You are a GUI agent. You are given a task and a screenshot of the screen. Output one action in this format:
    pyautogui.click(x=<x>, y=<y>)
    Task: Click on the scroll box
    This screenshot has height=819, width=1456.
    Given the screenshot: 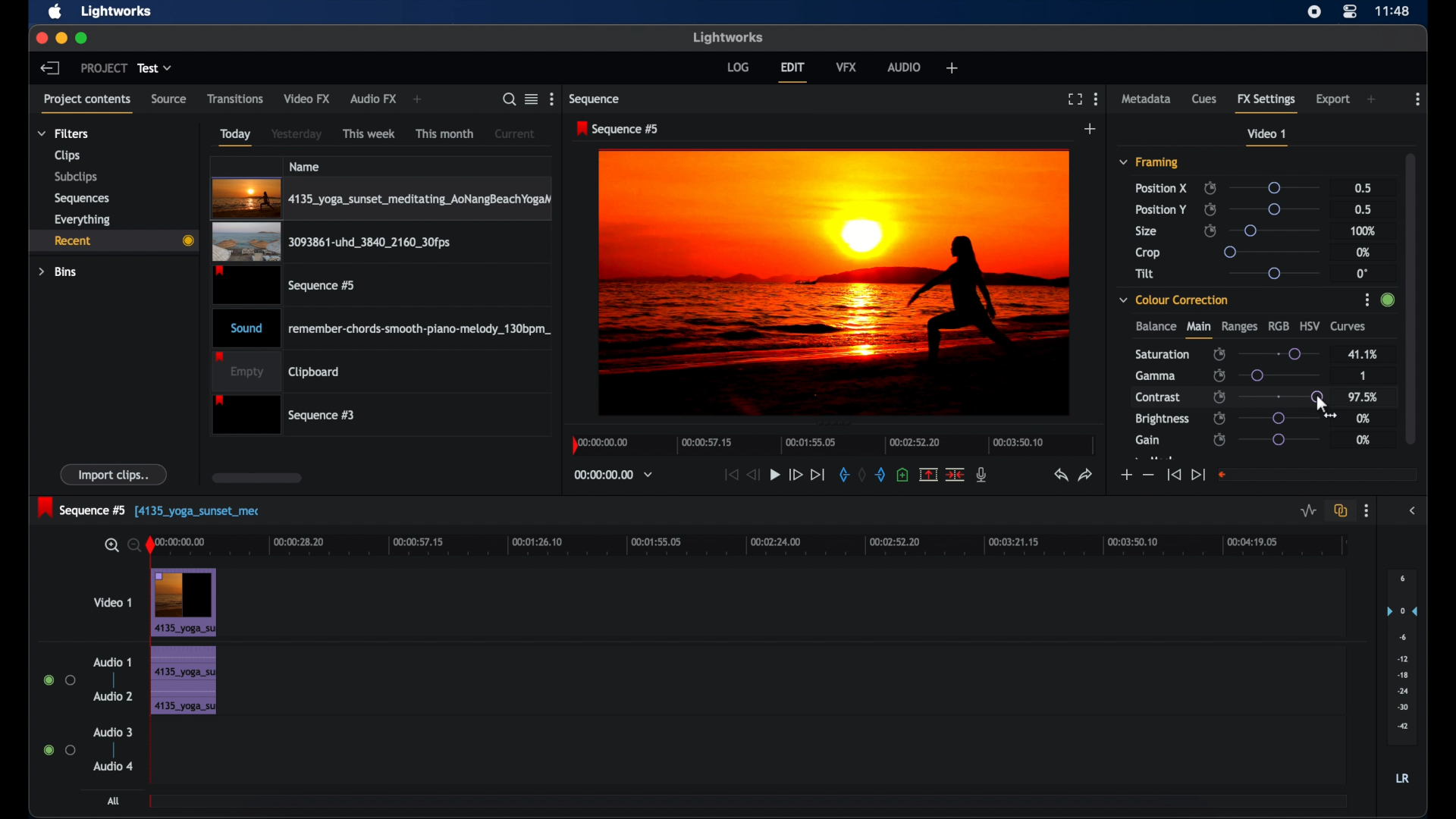 What is the action you would take?
    pyautogui.click(x=256, y=478)
    